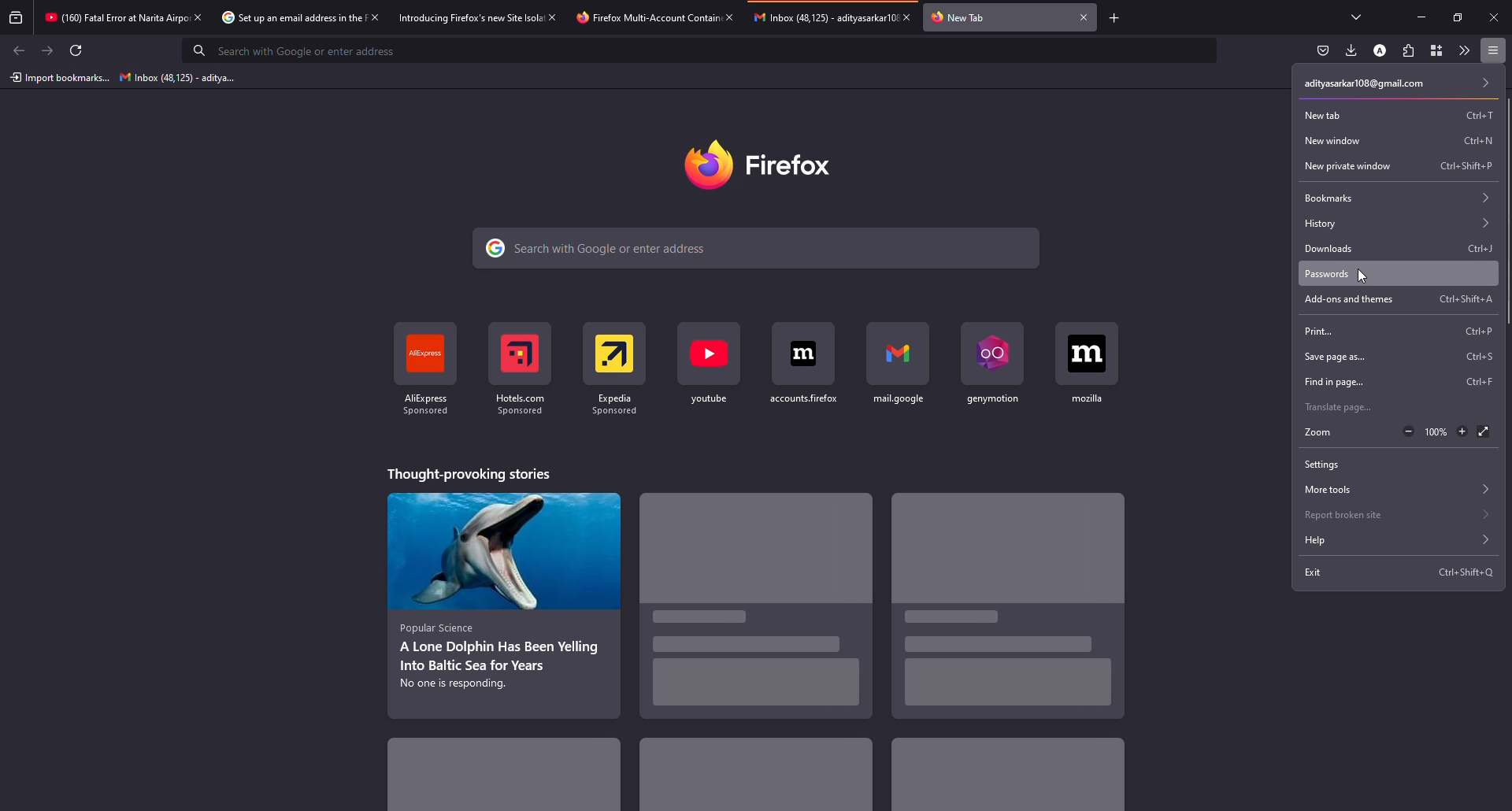 The image size is (1512, 811). Describe the element at coordinates (1457, 299) in the screenshot. I see `shortcut` at that location.